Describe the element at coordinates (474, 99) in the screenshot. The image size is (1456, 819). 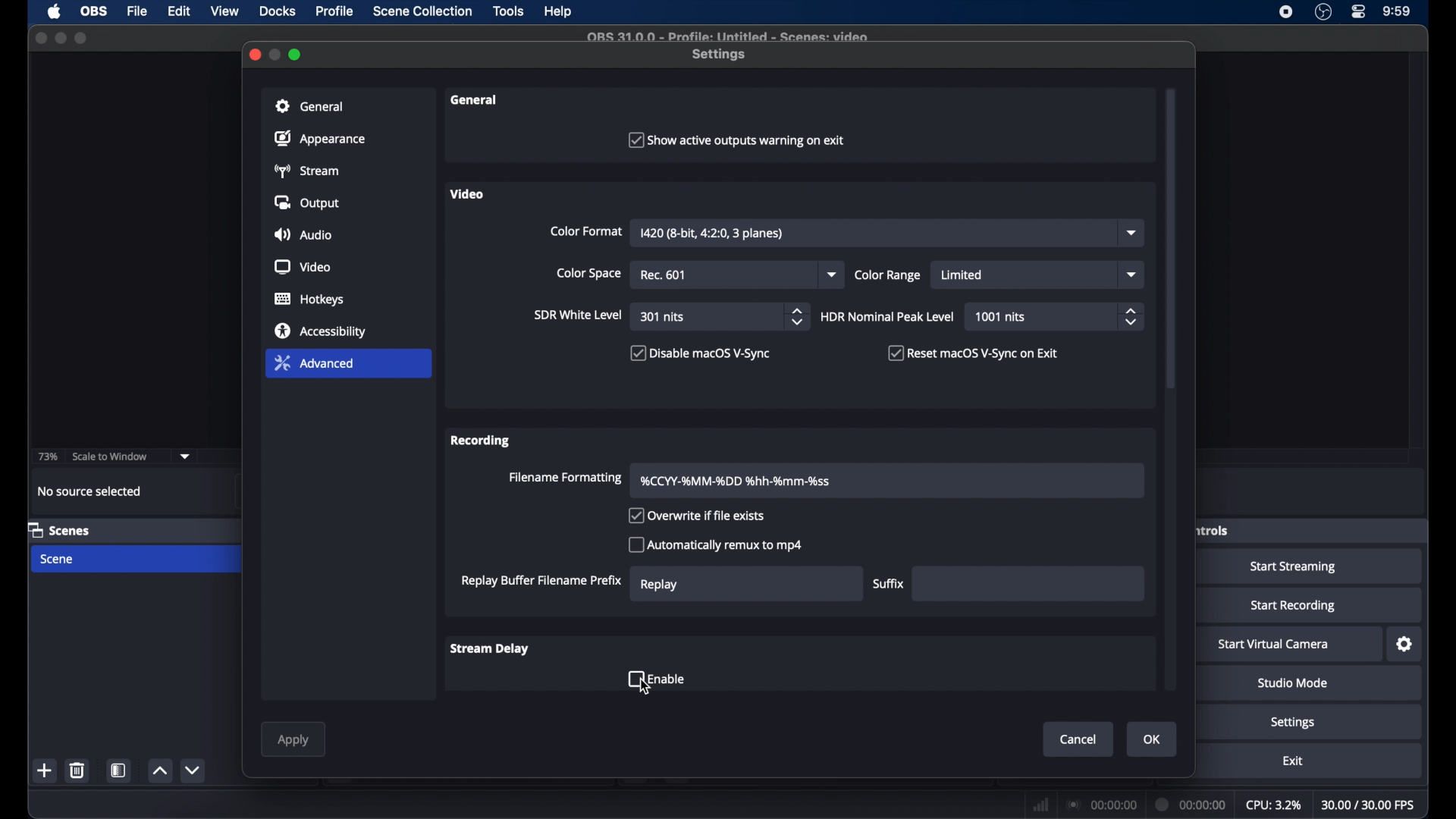
I see `general` at that location.